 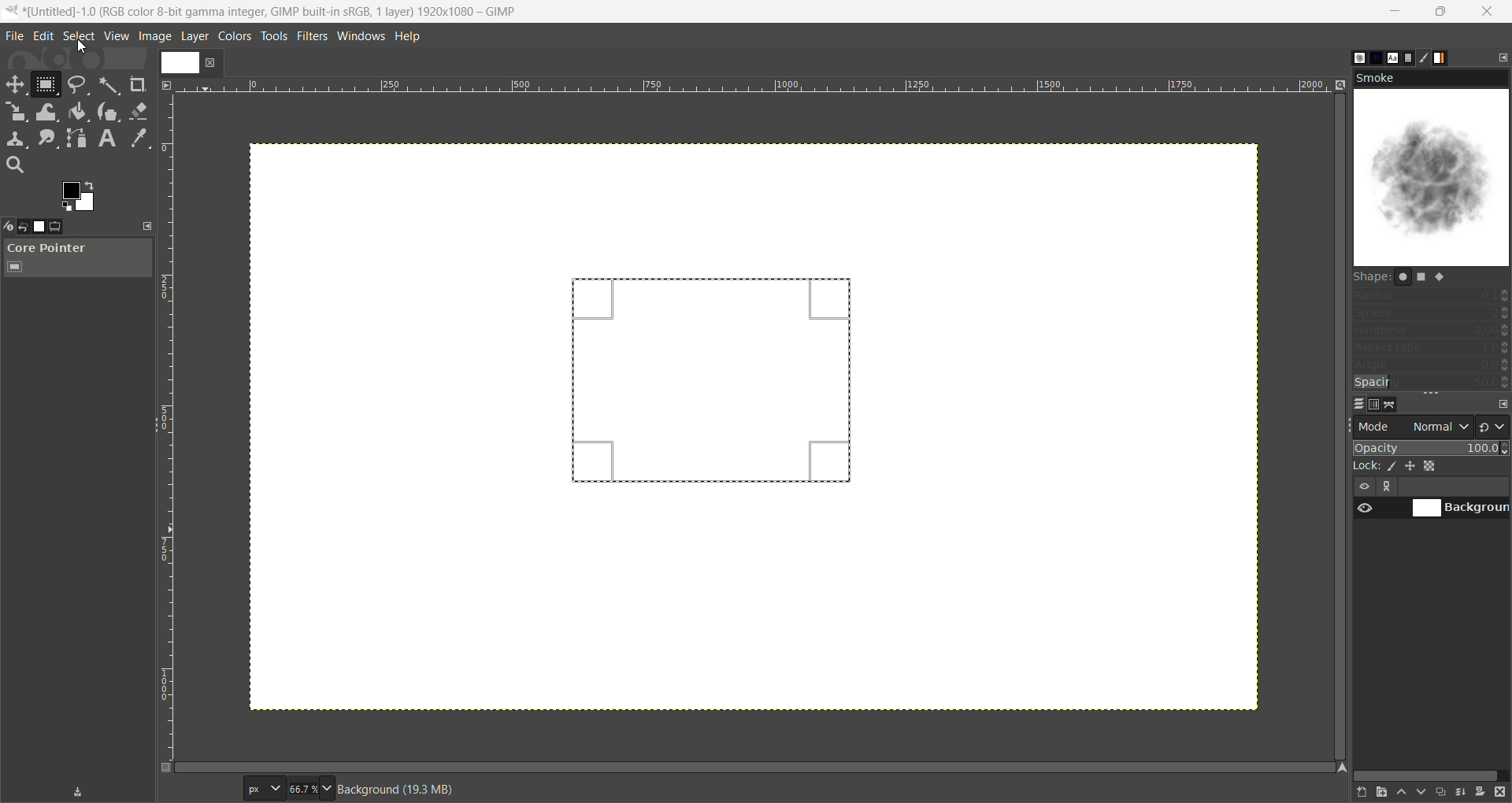 I want to click on tools, so click(x=274, y=35).